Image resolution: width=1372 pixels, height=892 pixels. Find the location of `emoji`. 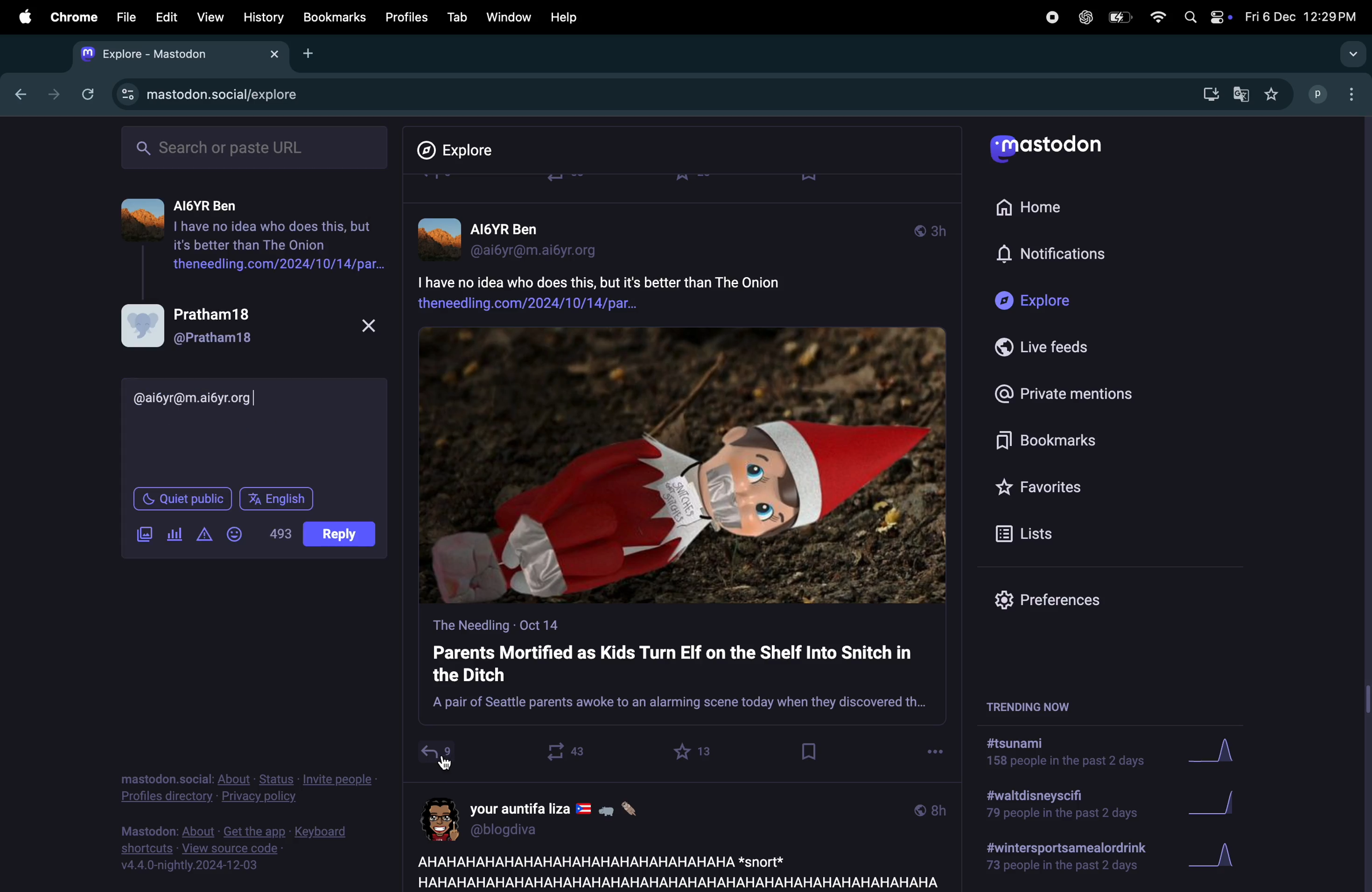

emoji is located at coordinates (237, 532).